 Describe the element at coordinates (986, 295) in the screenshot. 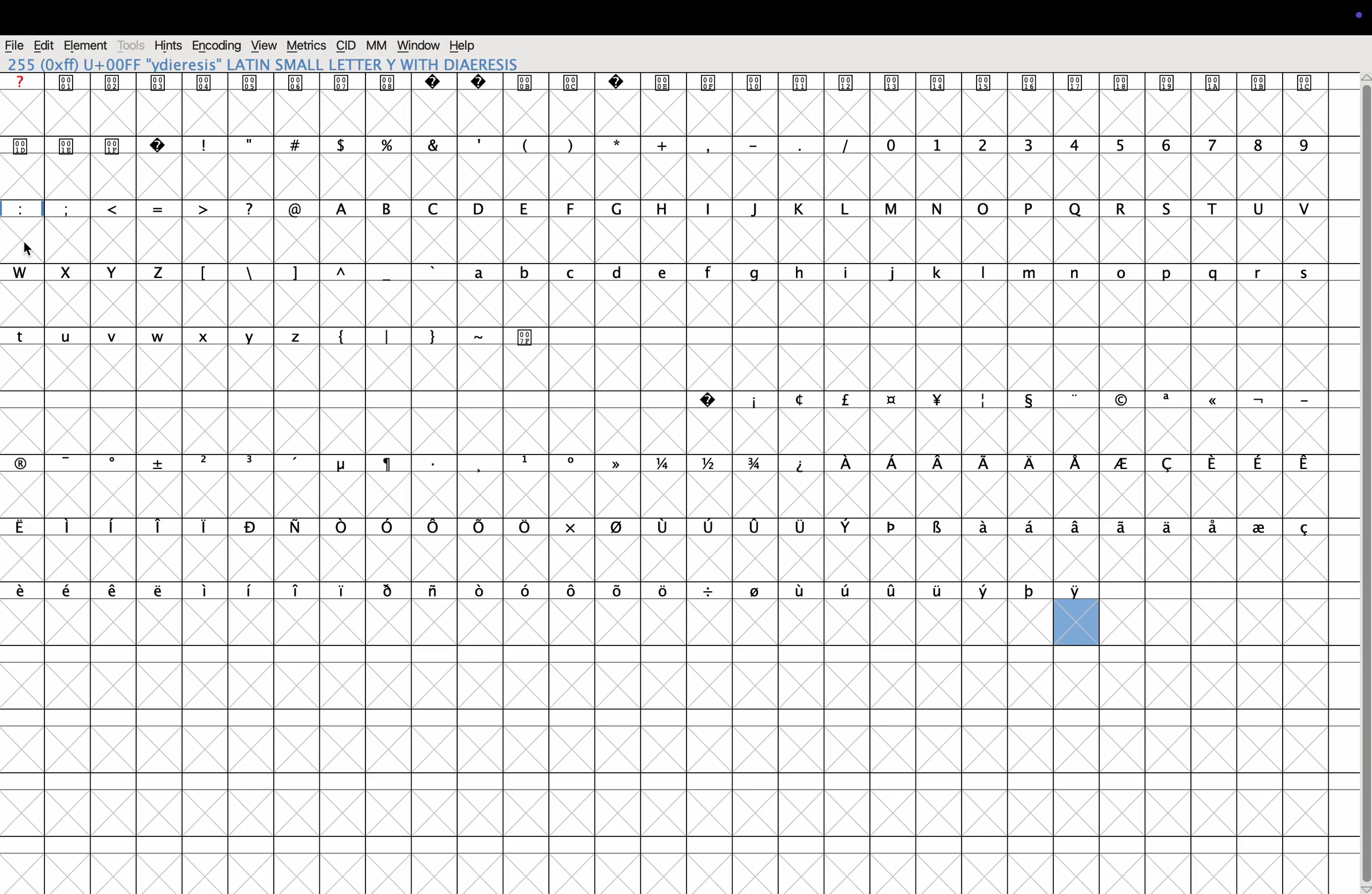

I see `l` at that location.